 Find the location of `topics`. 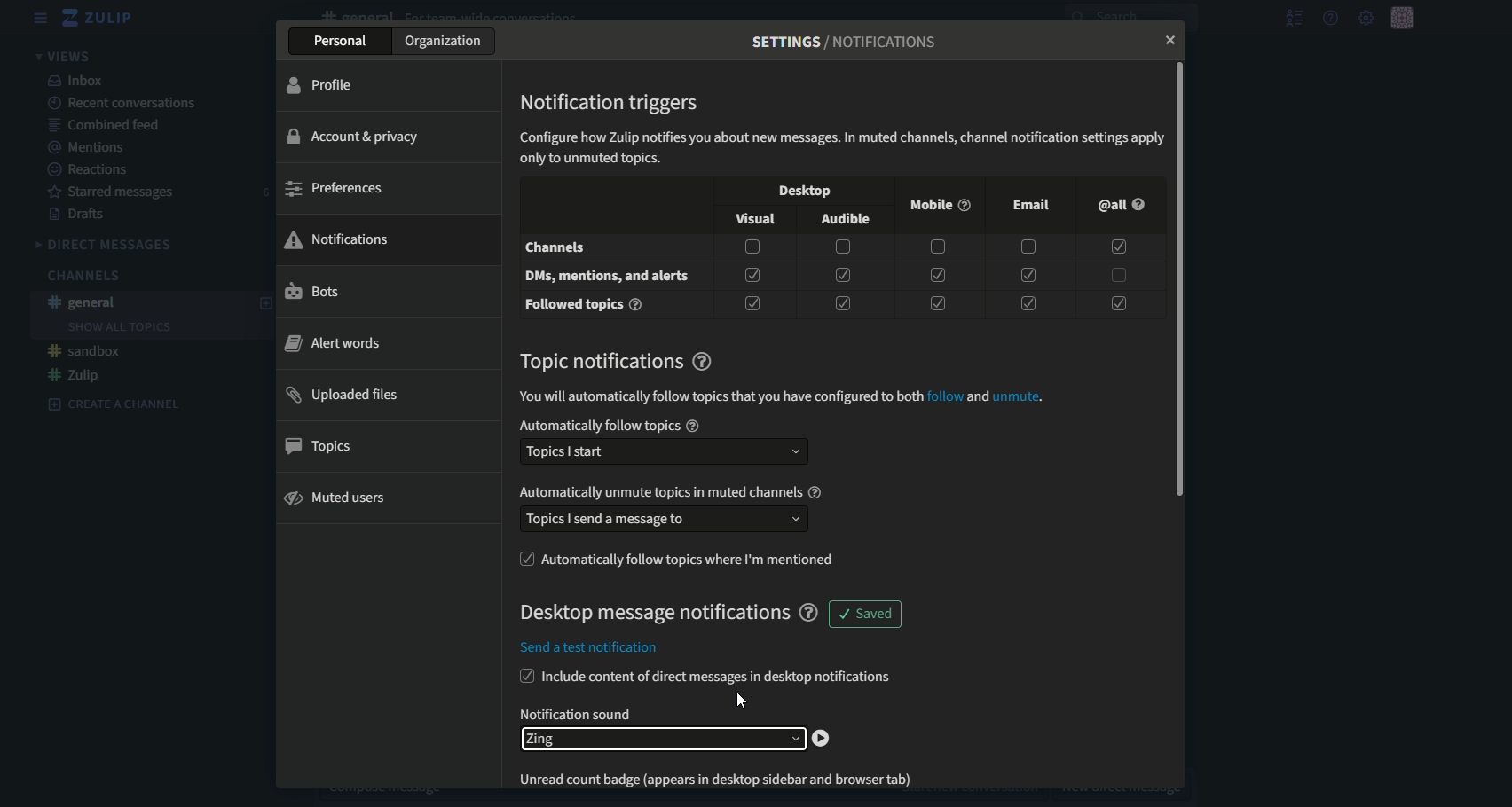

topics is located at coordinates (325, 447).